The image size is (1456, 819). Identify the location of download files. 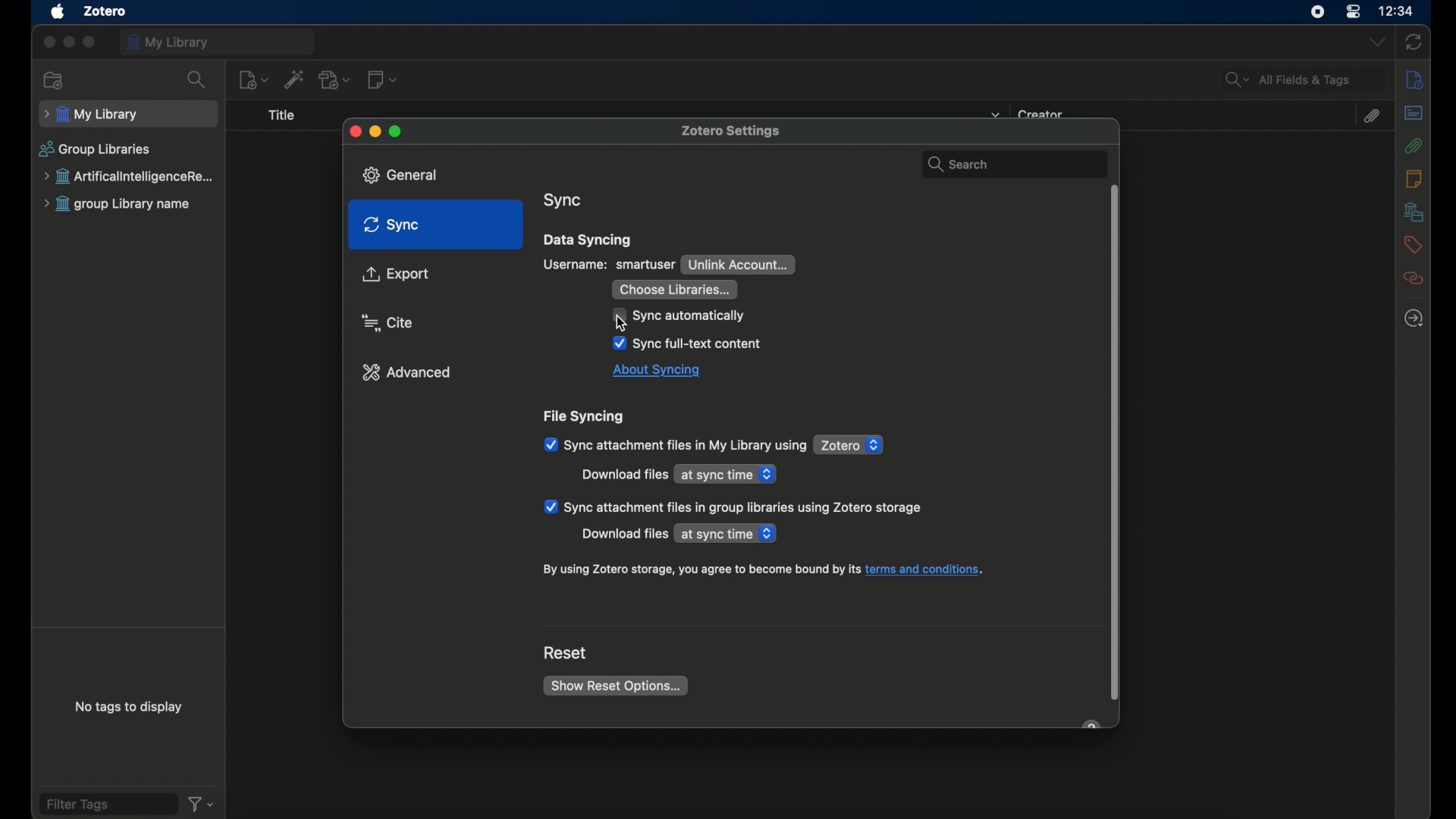
(623, 535).